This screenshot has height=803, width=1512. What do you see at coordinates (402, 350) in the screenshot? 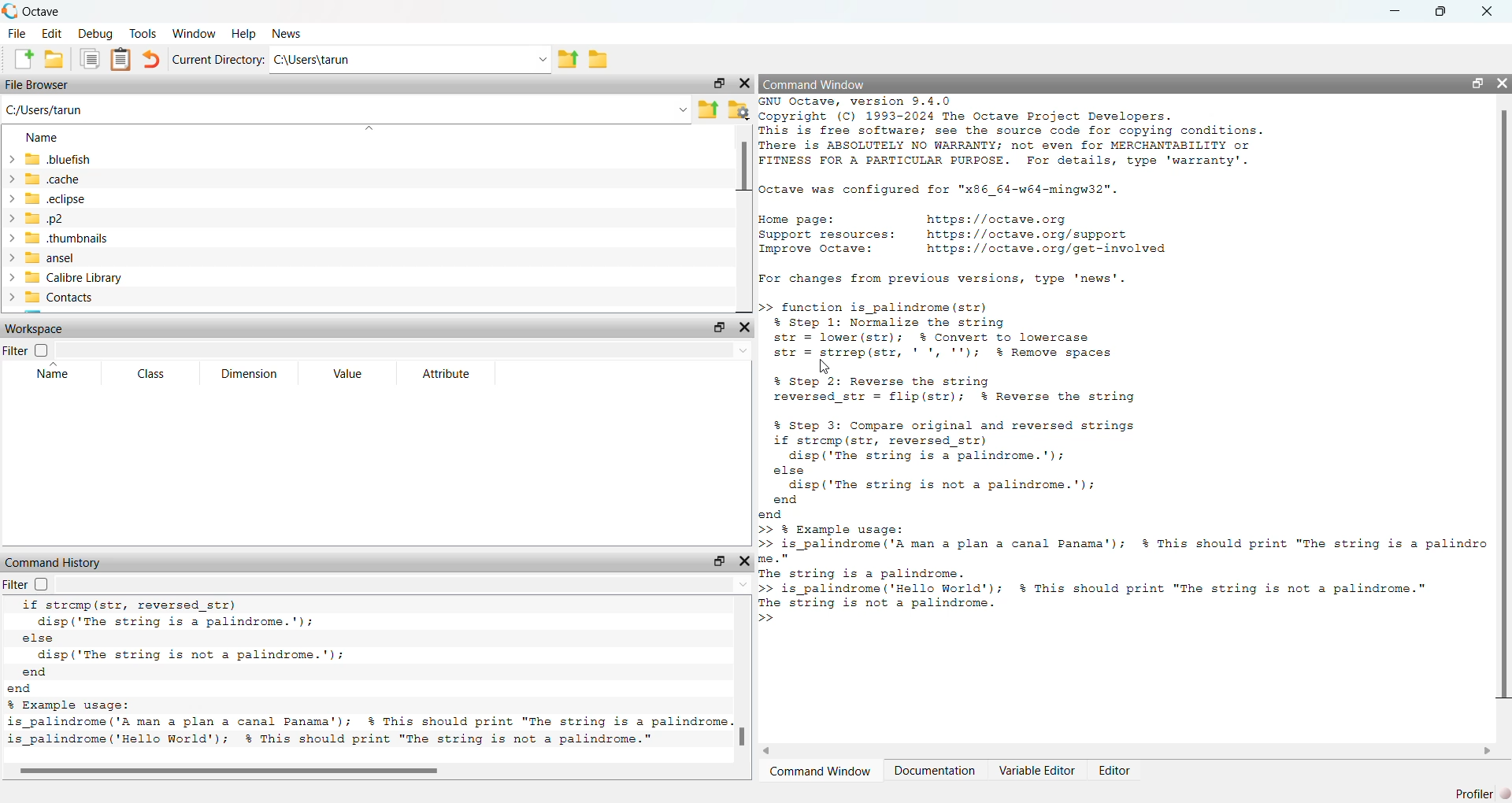
I see `filter input field` at bounding box center [402, 350].